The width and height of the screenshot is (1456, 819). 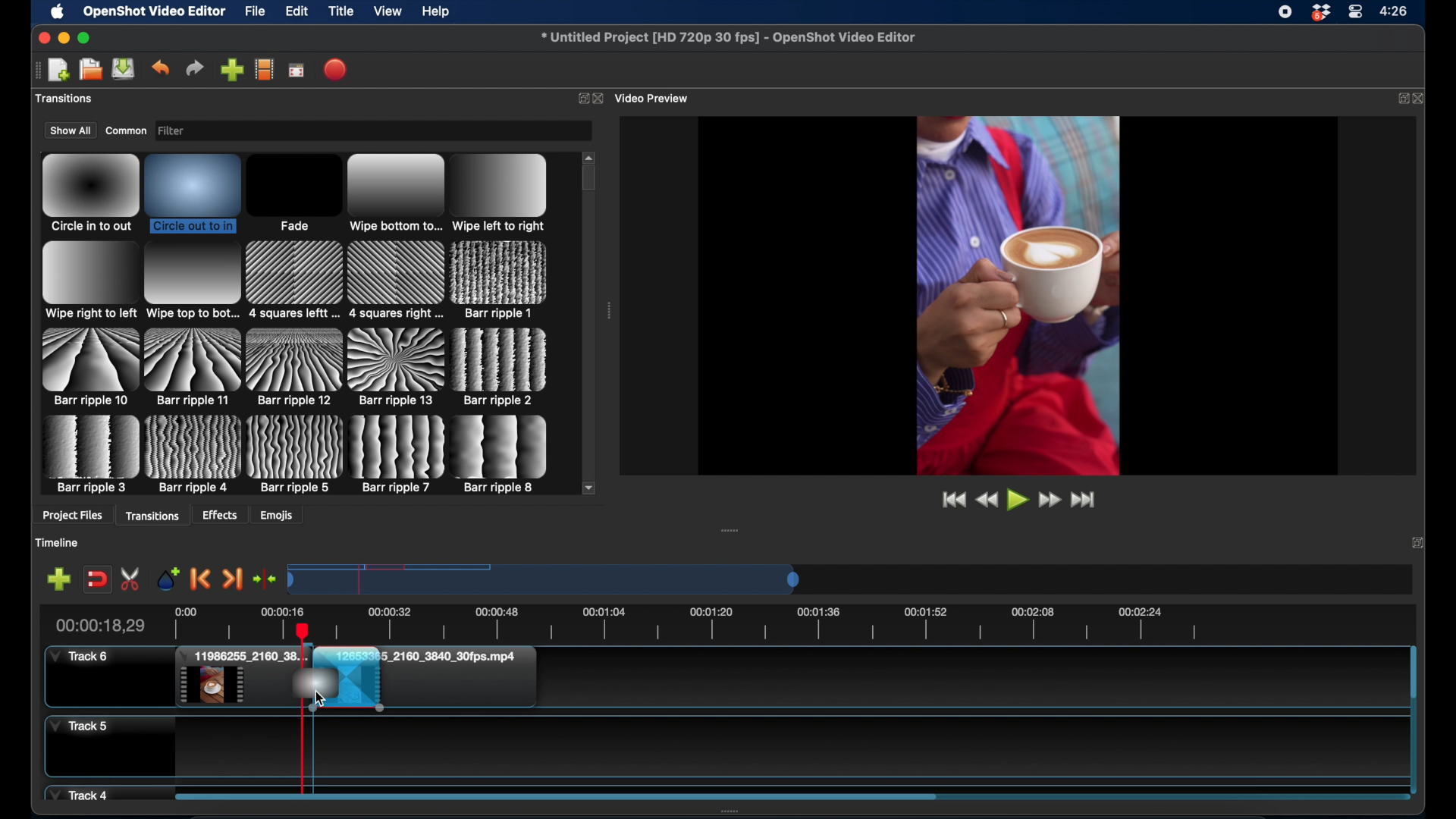 I want to click on drag handle, so click(x=610, y=311).